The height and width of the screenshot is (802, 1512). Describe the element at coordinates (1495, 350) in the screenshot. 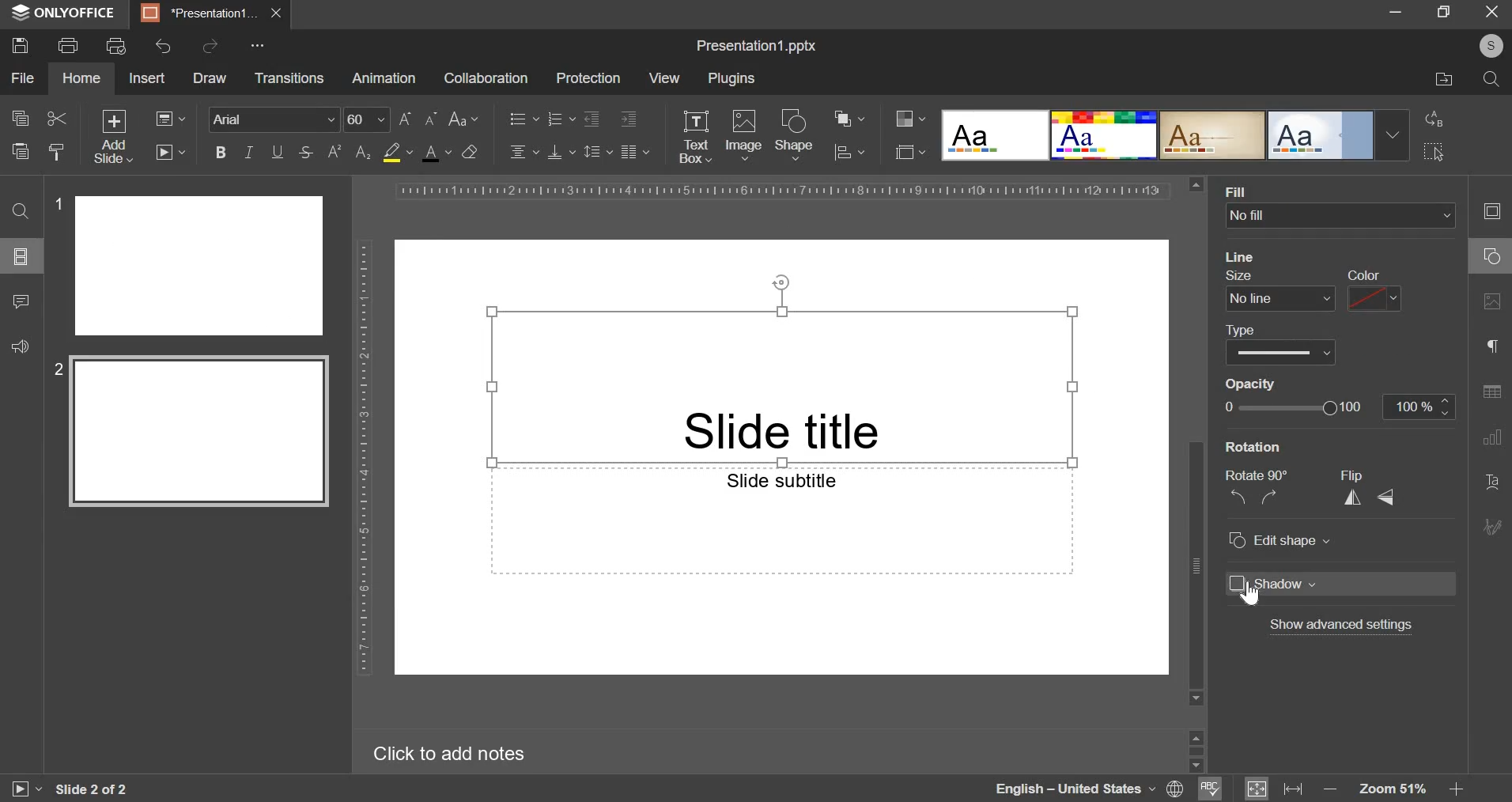

I see `character settings` at that location.